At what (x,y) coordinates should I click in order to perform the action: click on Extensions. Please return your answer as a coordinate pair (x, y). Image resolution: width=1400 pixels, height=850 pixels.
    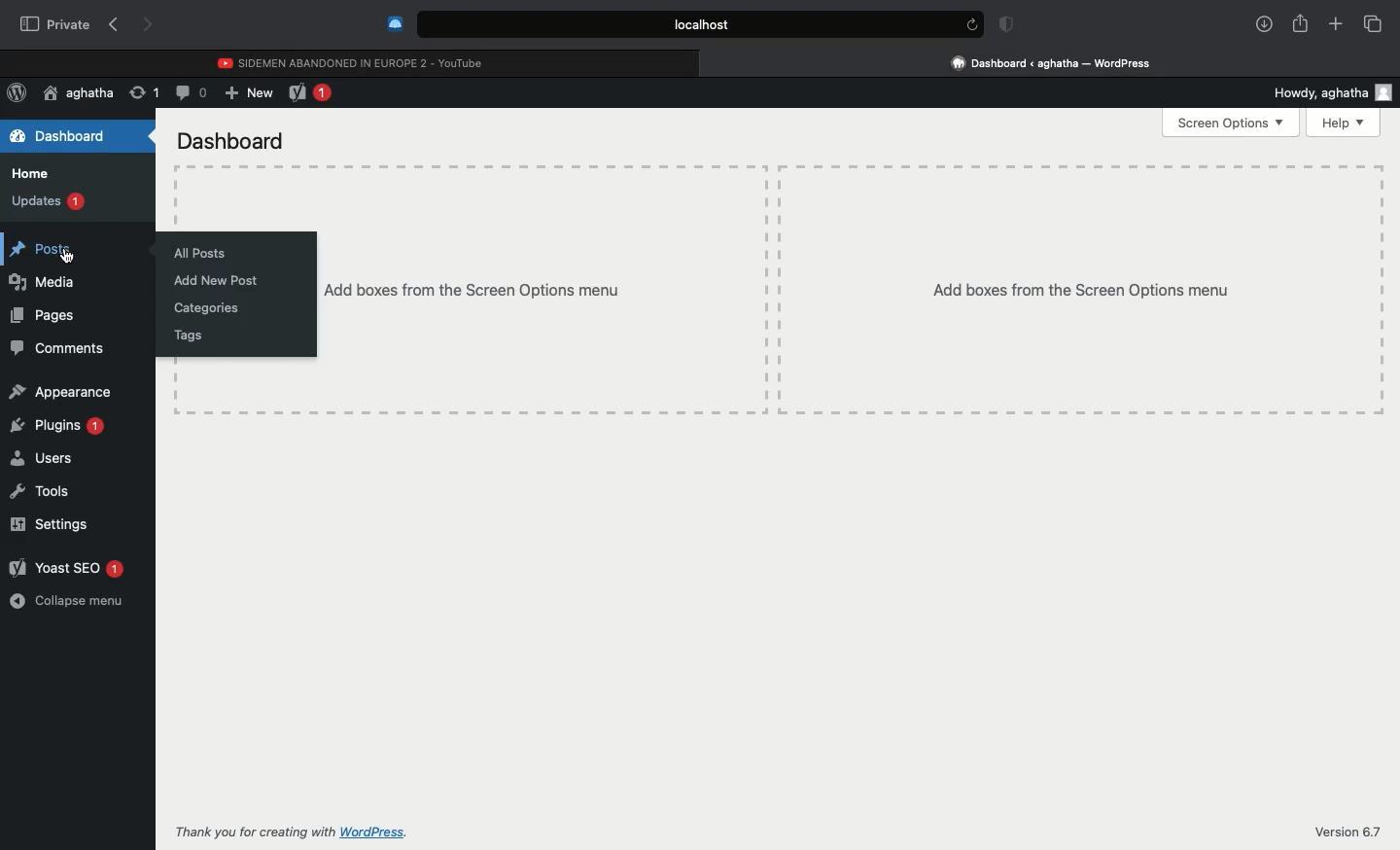
    Looking at the image, I should click on (393, 23).